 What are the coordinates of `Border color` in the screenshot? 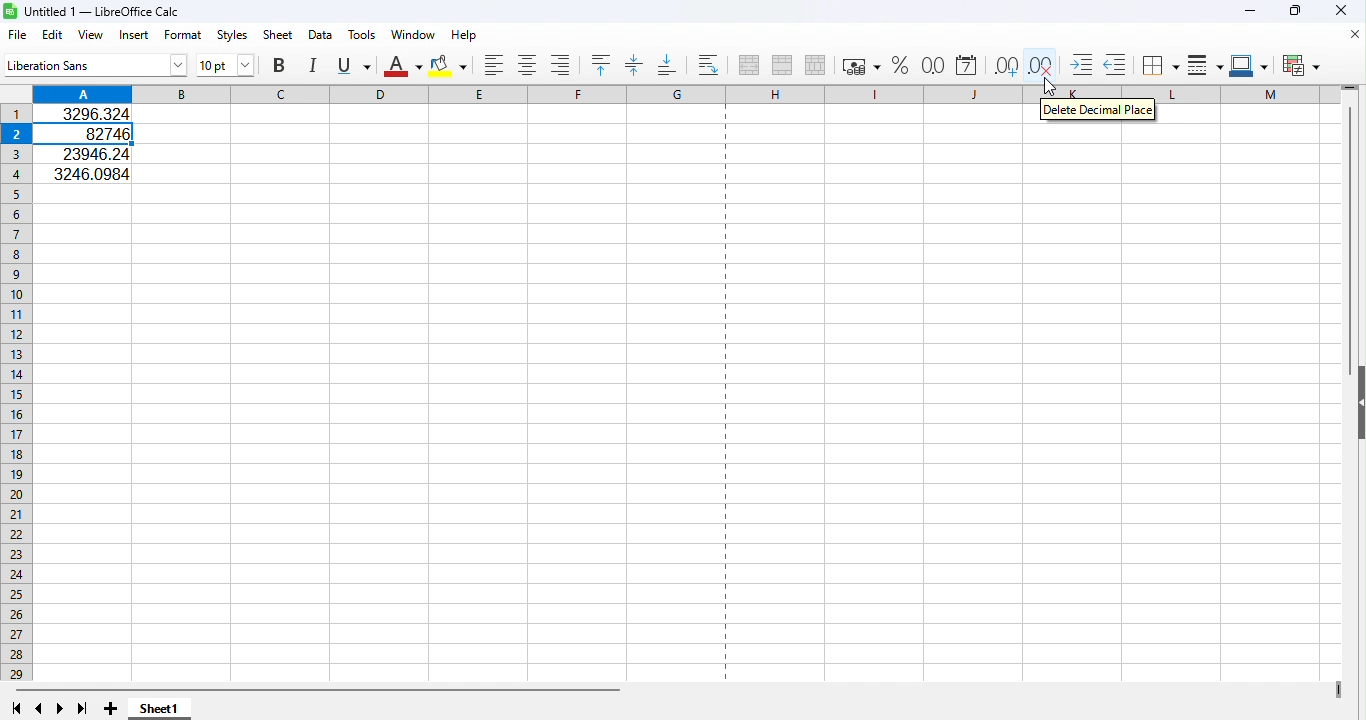 It's located at (1252, 64).